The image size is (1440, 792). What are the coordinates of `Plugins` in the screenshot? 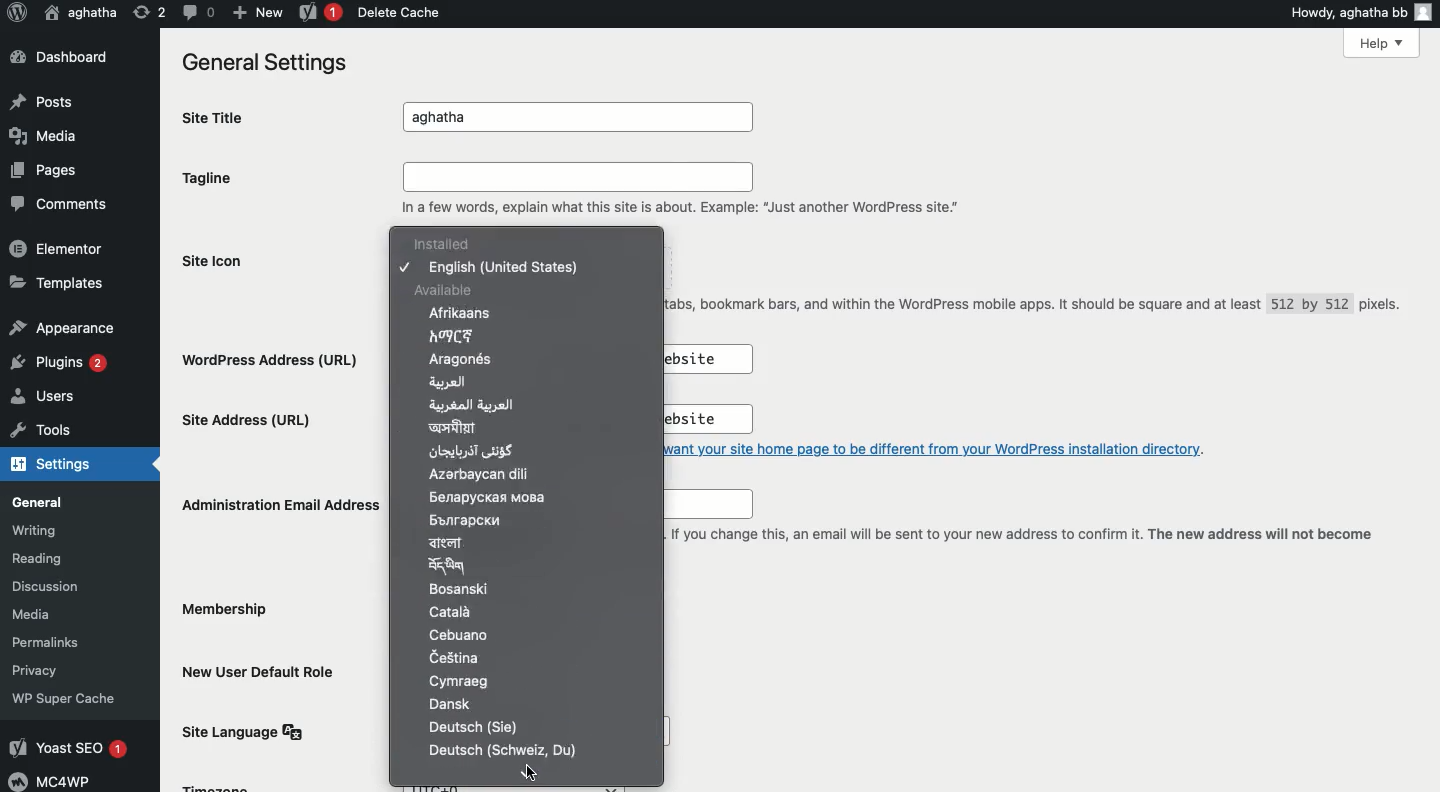 It's located at (63, 363).